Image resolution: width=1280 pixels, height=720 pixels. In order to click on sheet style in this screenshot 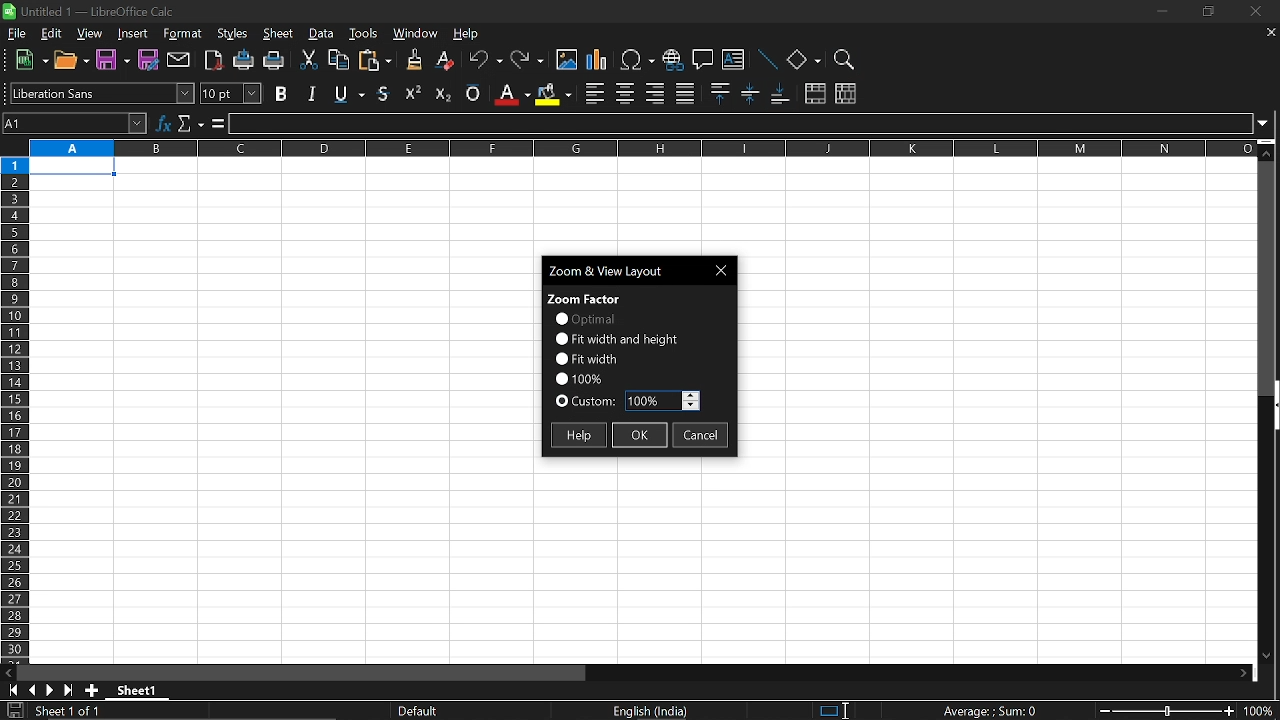, I will do `click(421, 711)`.